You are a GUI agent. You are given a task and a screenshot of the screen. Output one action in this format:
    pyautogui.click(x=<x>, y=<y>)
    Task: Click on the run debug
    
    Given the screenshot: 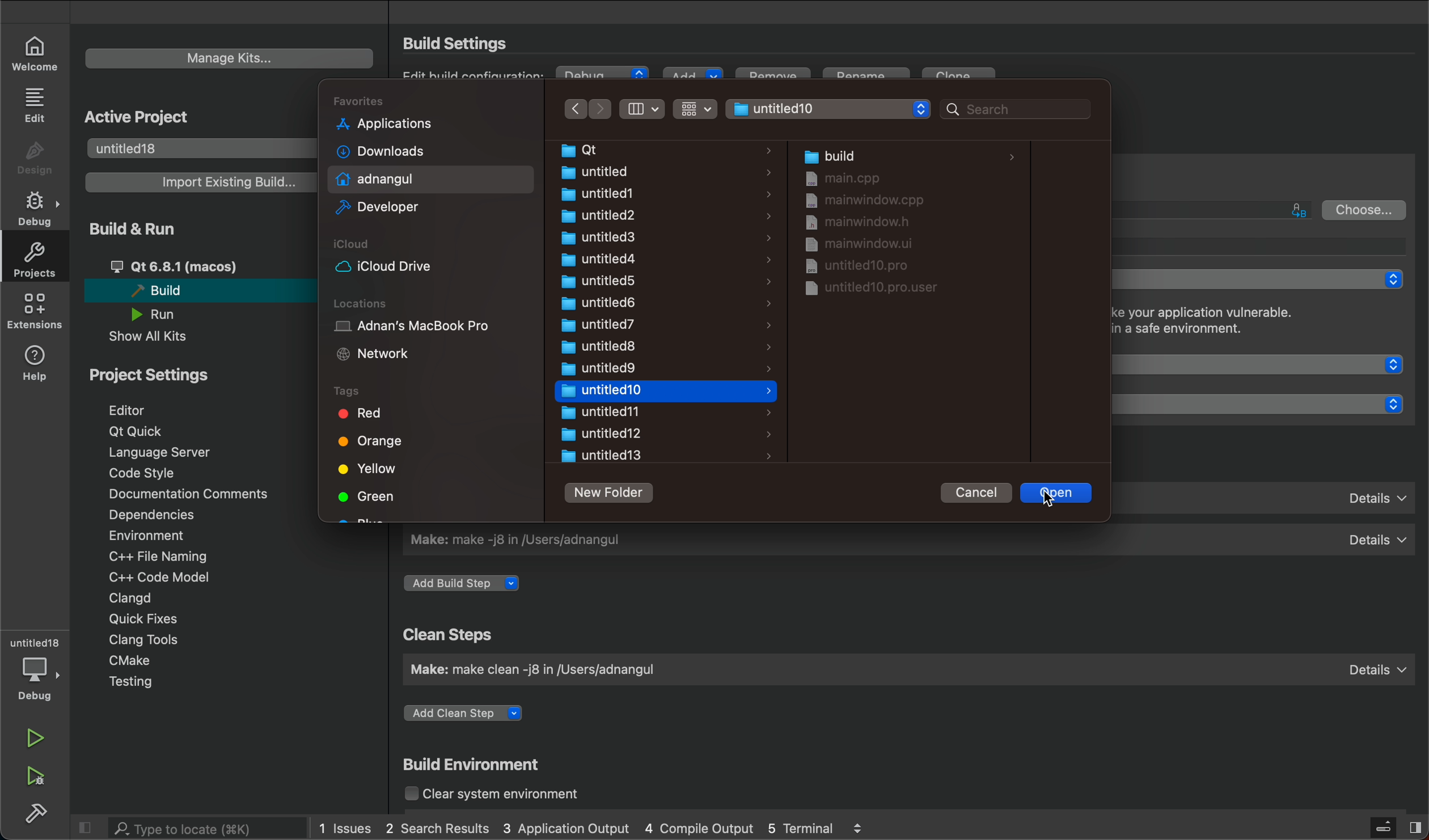 What is the action you would take?
    pyautogui.click(x=33, y=778)
    